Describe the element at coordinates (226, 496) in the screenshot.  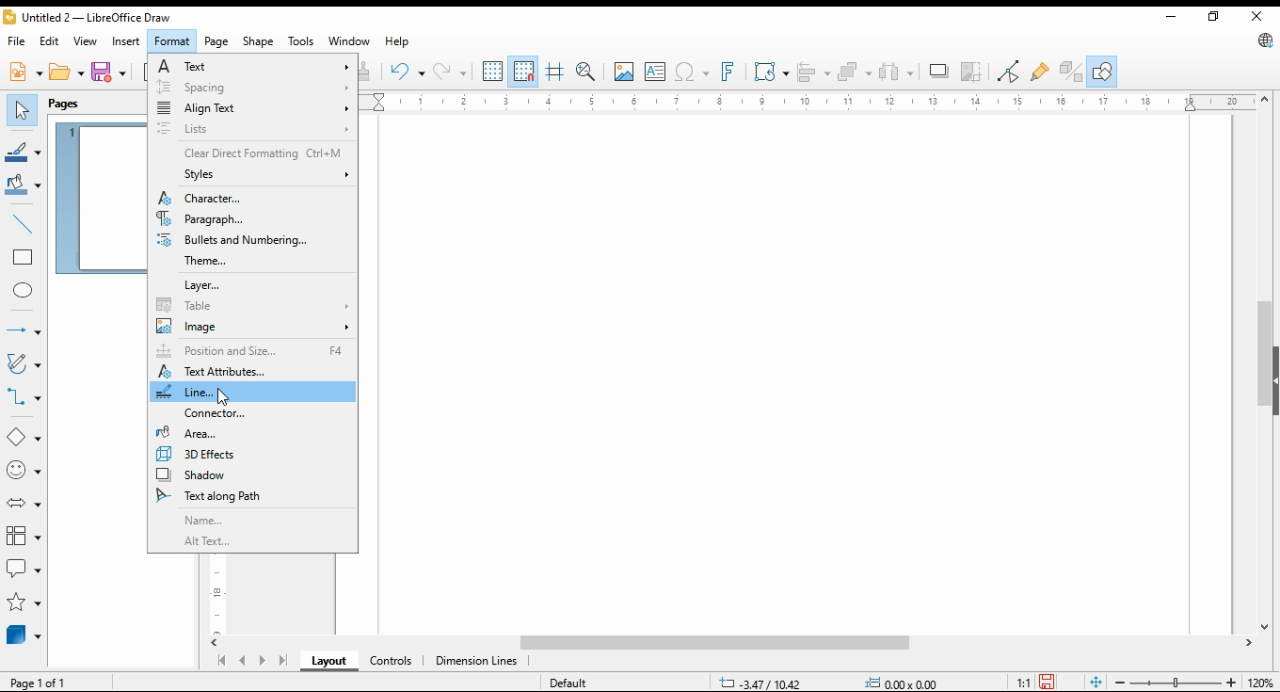
I see `text along path` at that location.